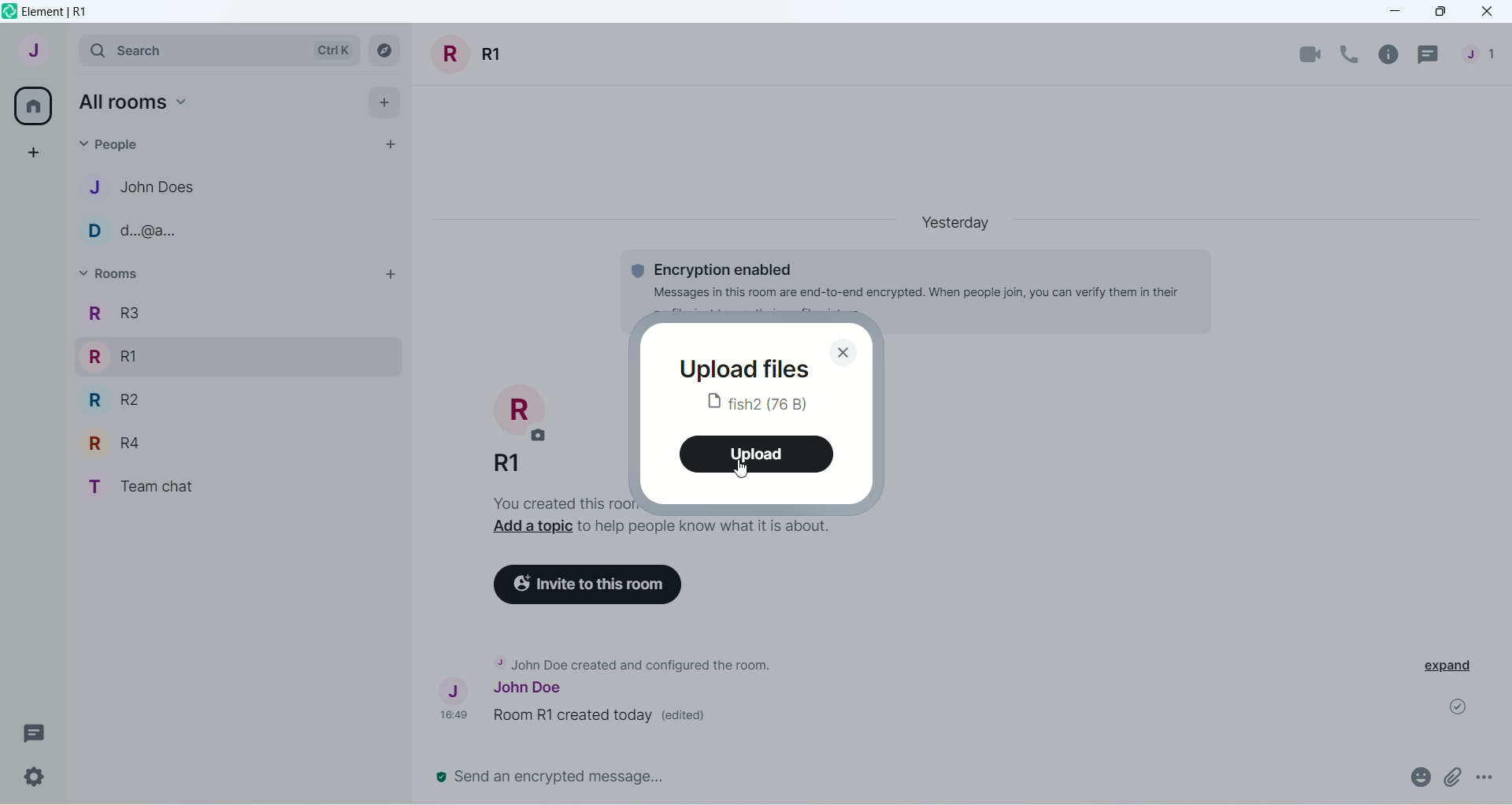  What do you see at coordinates (1349, 56) in the screenshot?
I see `voice call` at bounding box center [1349, 56].